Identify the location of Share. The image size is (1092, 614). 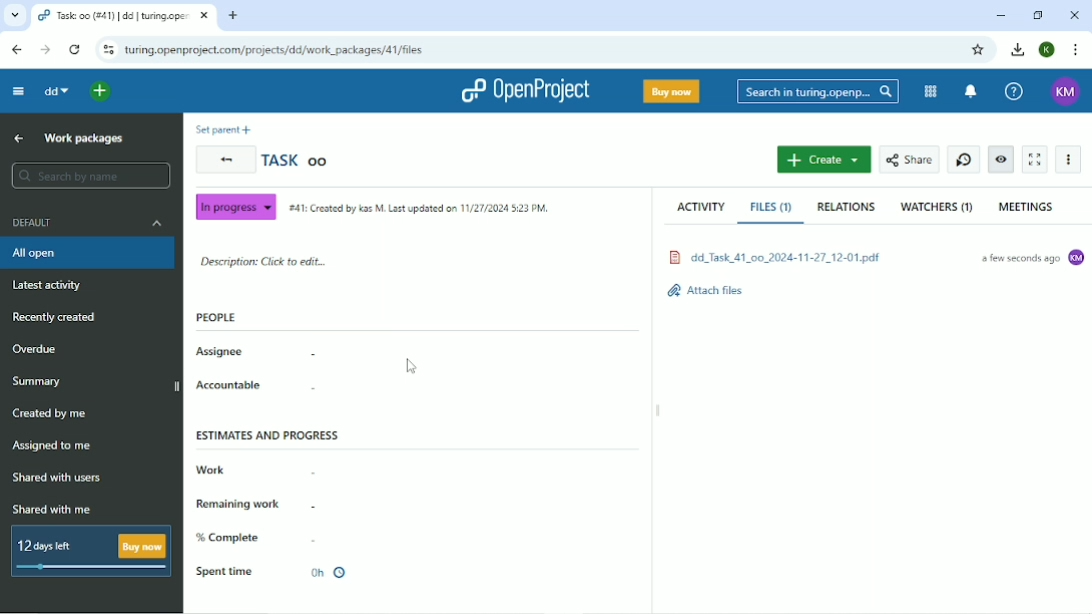
(909, 159).